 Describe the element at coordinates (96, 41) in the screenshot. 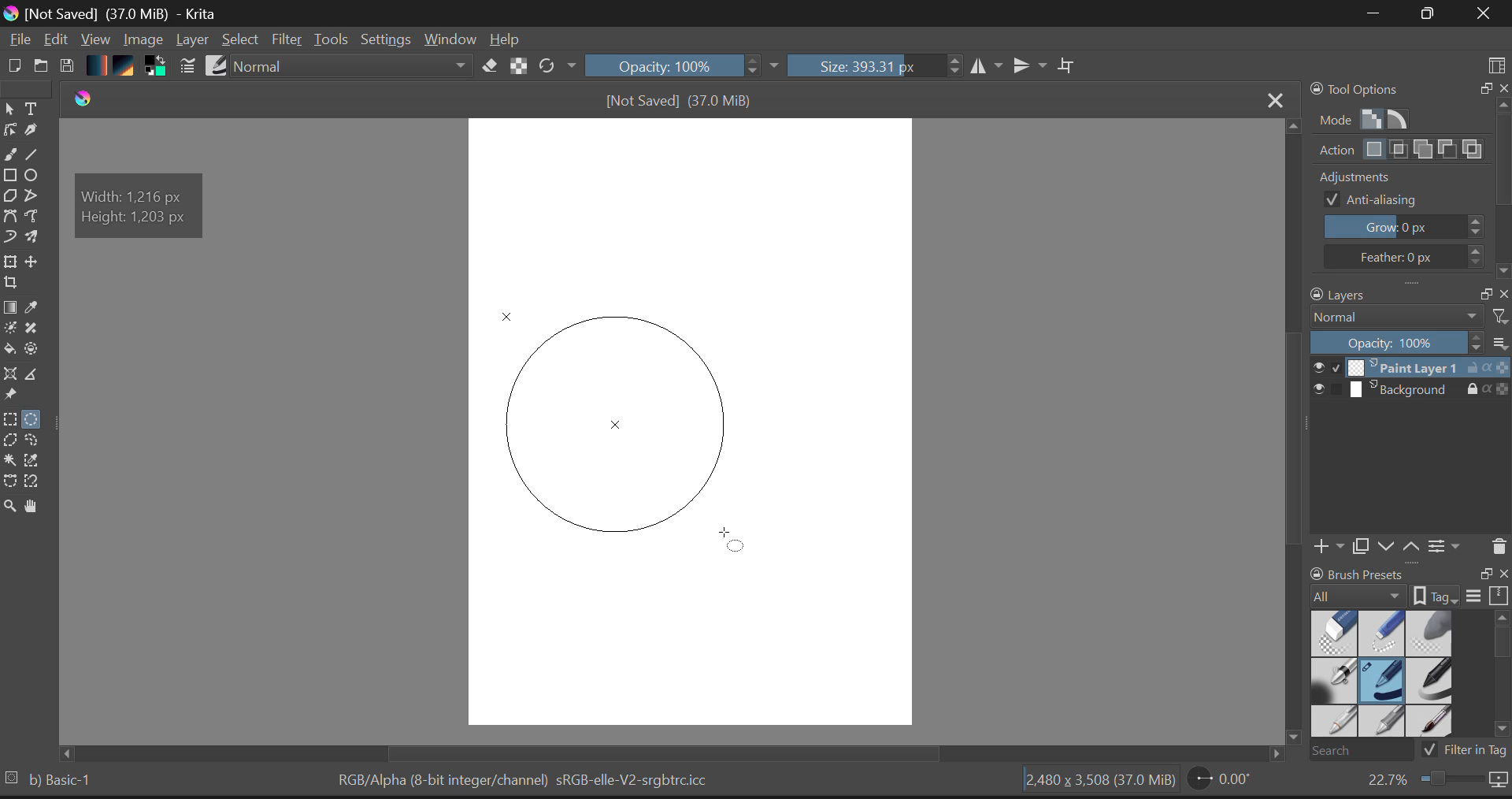

I see `View` at that location.